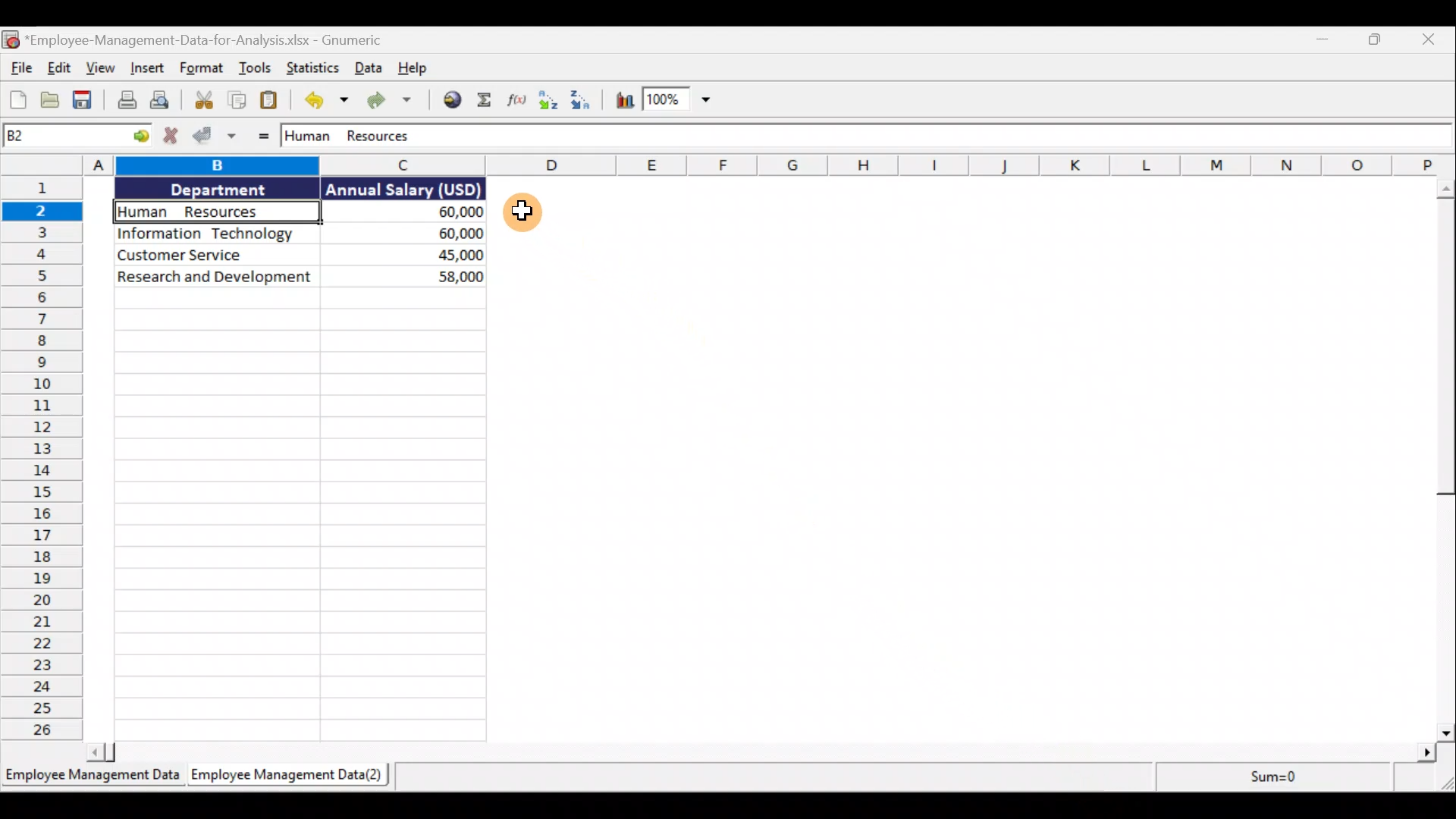  Describe the element at coordinates (162, 100) in the screenshot. I see `Print preview` at that location.